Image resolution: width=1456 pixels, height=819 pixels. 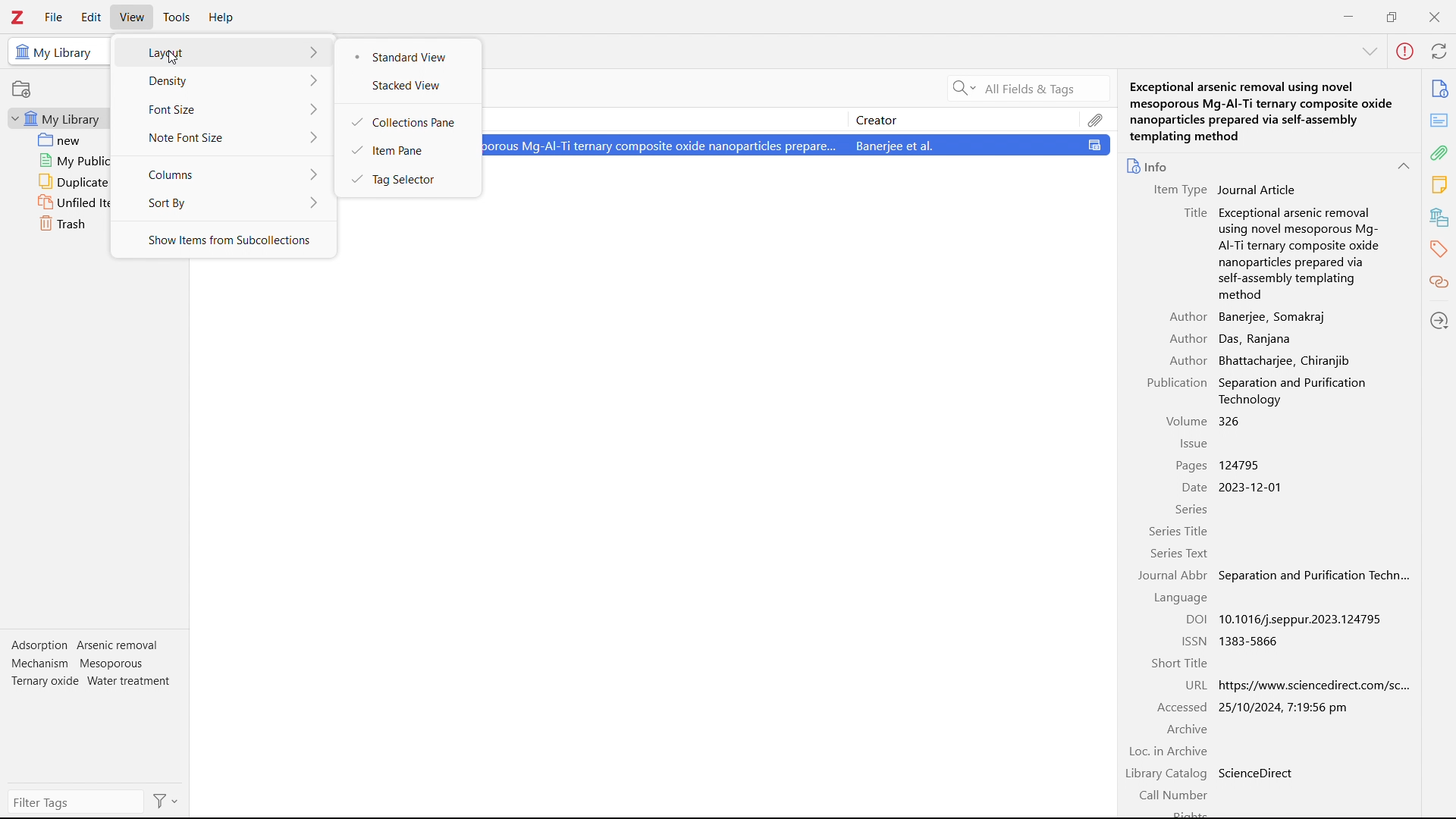 What do you see at coordinates (1181, 706) in the screenshot?
I see `Accessed` at bounding box center [1181, 706].